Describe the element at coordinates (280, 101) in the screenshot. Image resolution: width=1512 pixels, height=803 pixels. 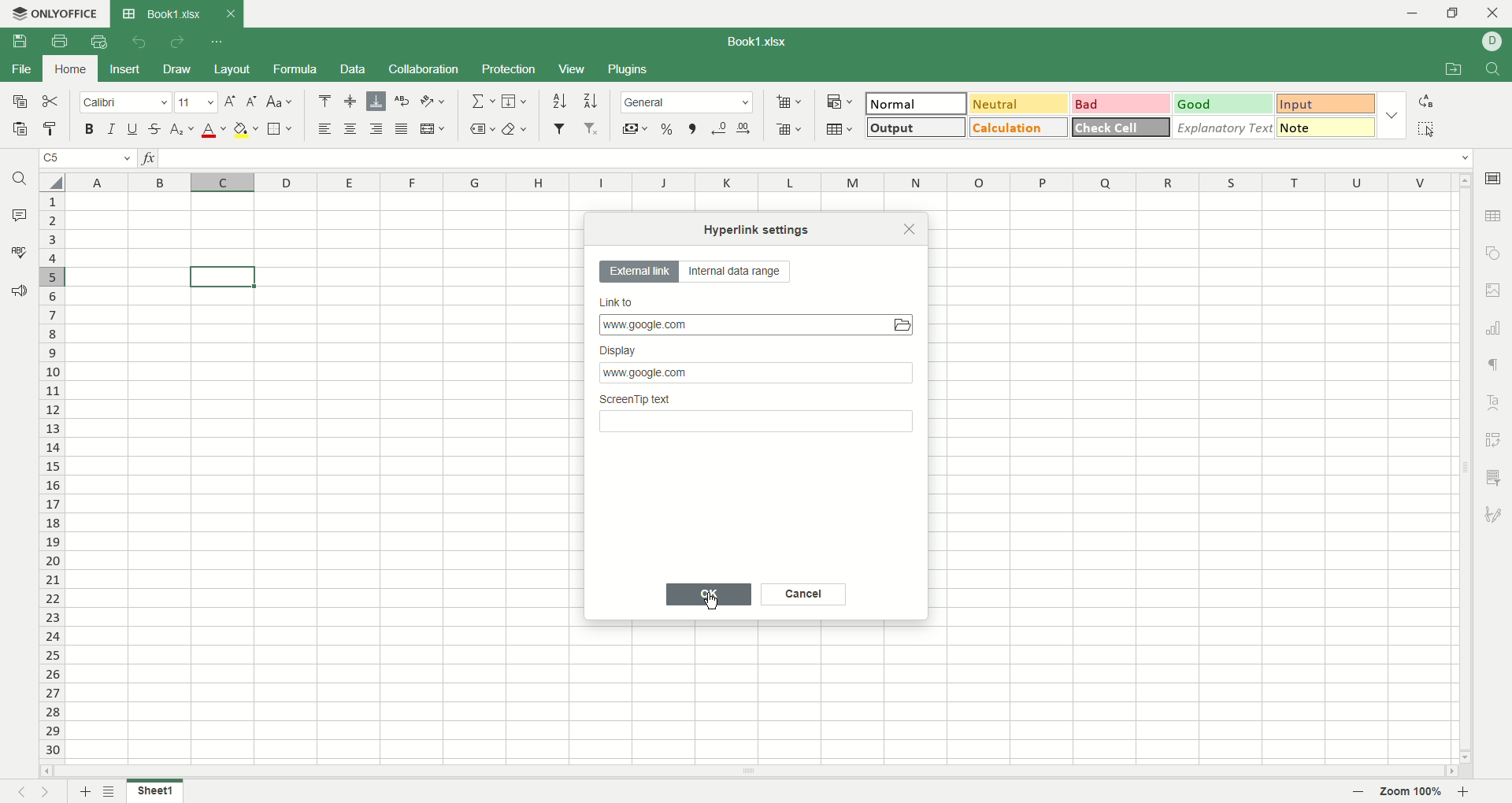
I see `case` at that location.